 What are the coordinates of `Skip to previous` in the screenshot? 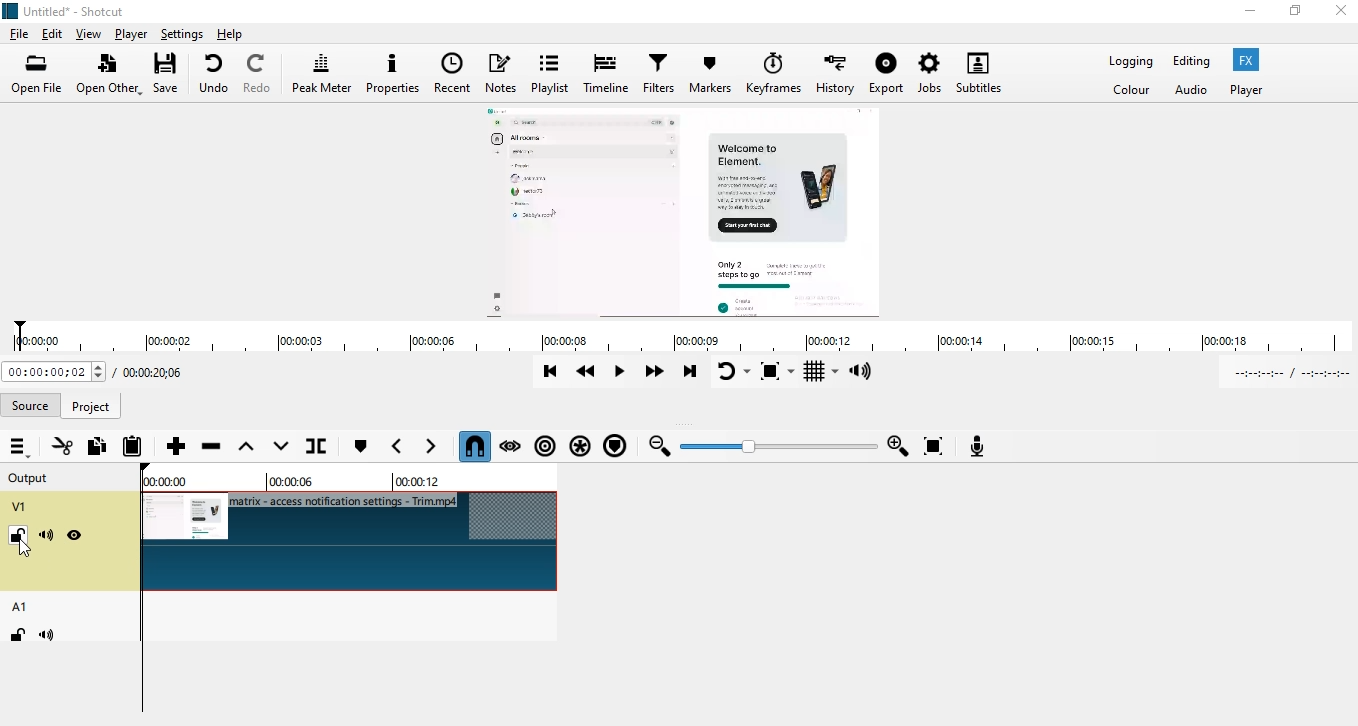 It's located at (549, 370).